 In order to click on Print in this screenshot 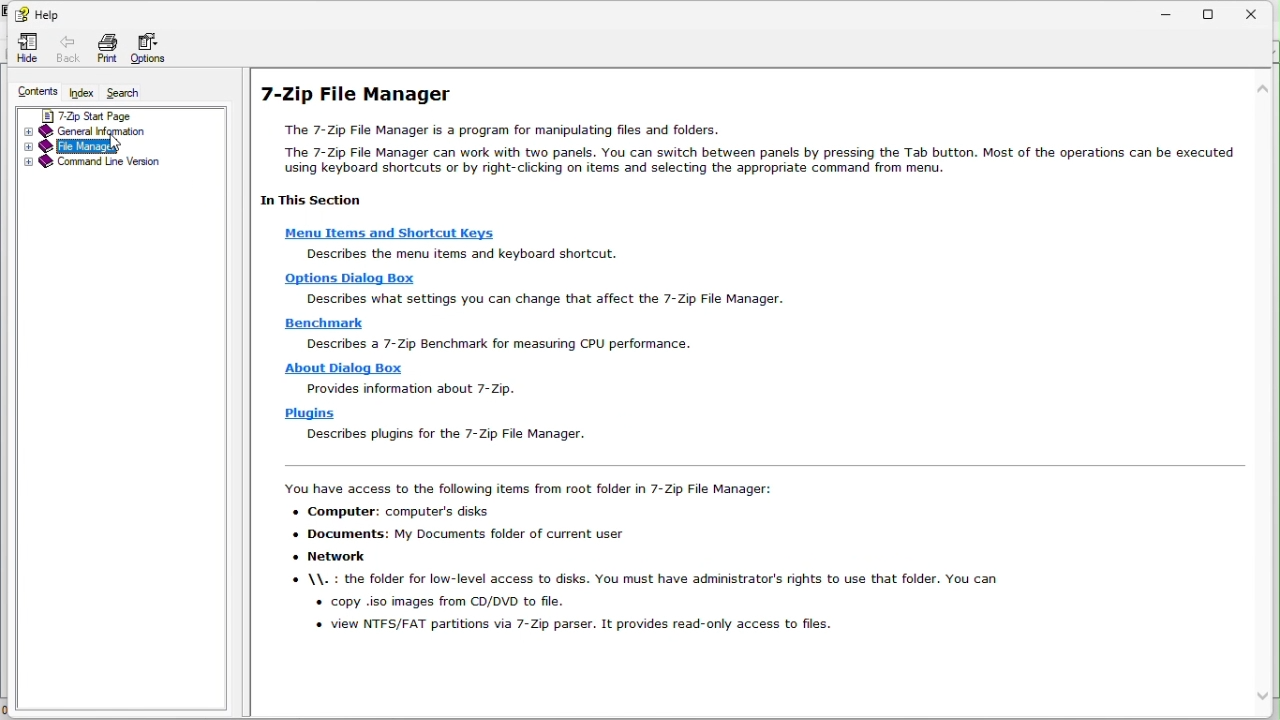, I will do `click(105, 46)`.